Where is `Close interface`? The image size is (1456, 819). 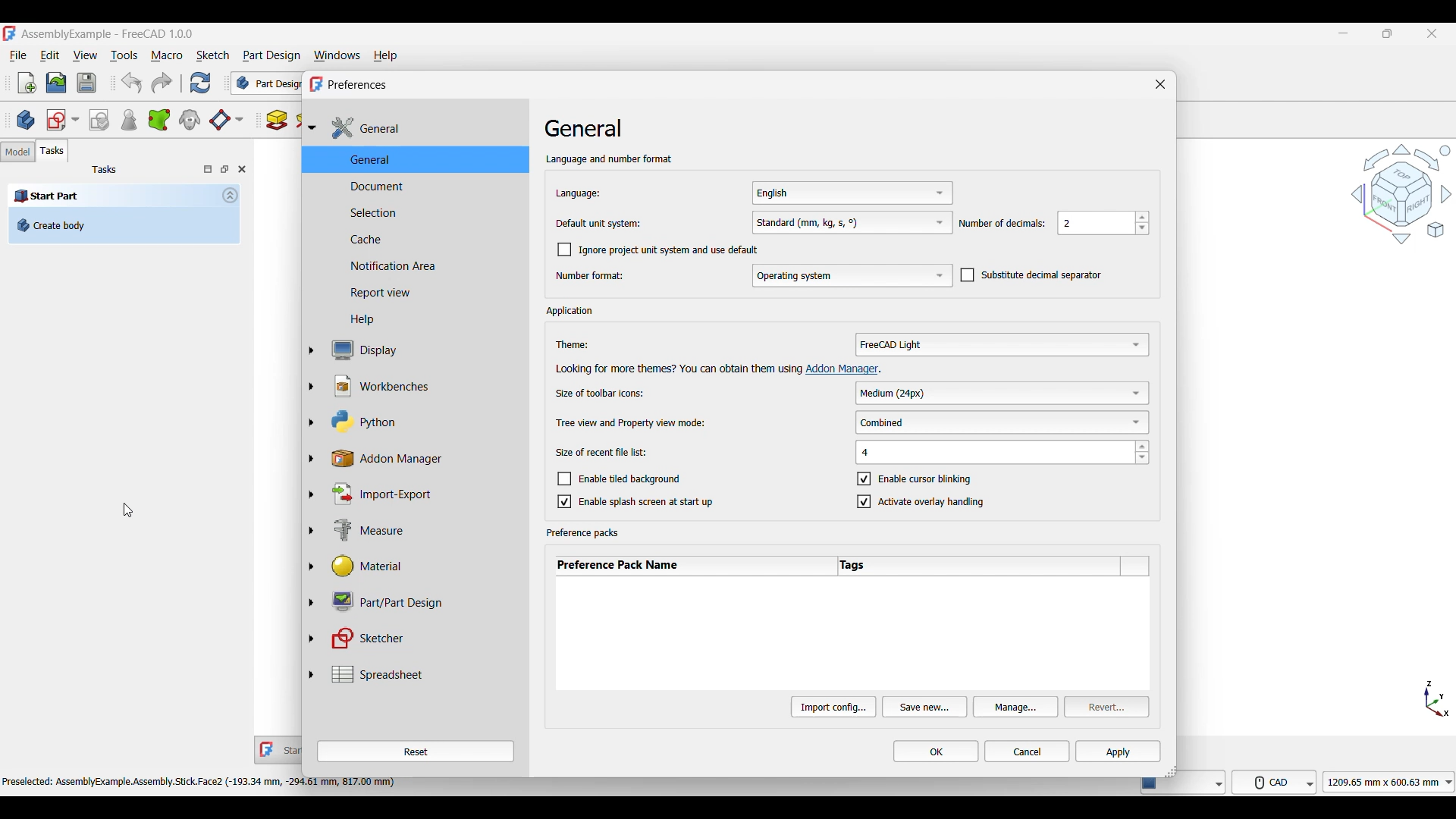 Close interface is located at coordinates (1432, 33).